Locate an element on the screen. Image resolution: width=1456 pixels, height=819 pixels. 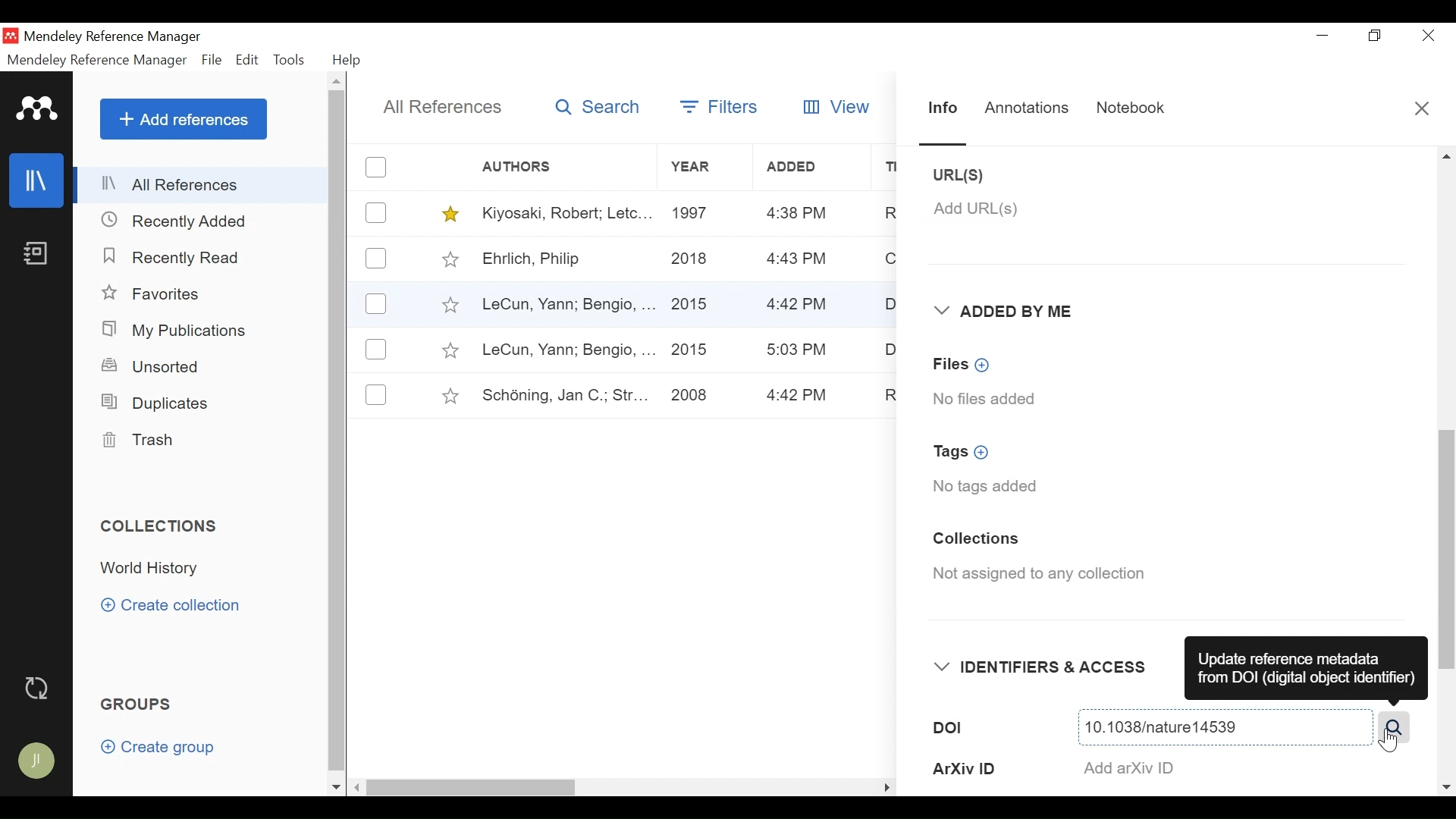
Vertical Scroll bar is located at coordinates (340, 434).